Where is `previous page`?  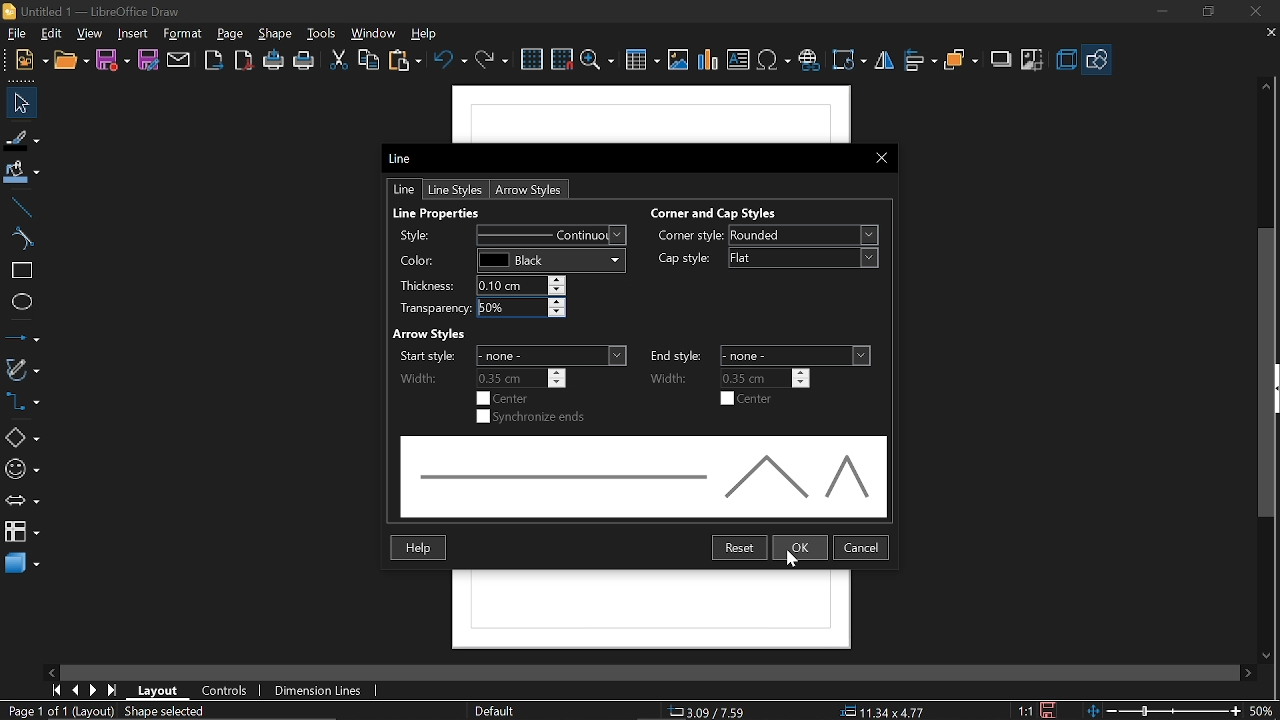
previous page is located at coordinates (75, 690).